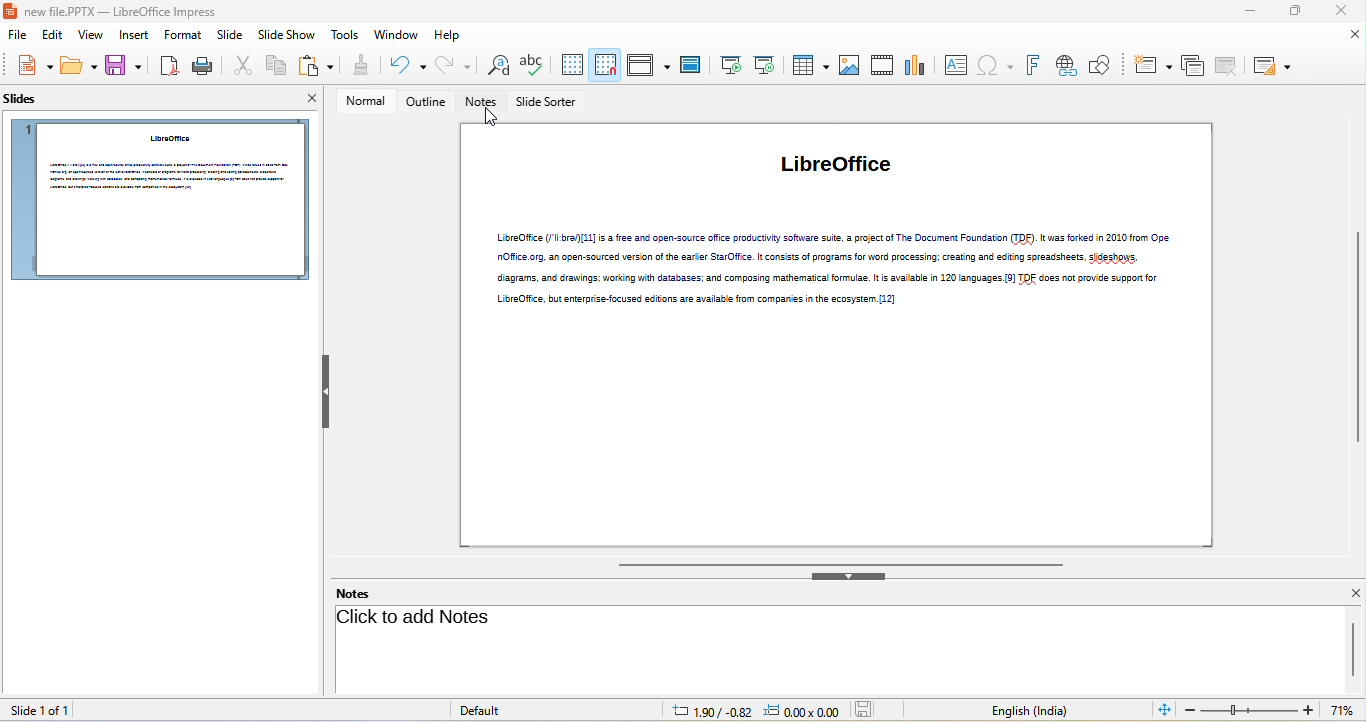 Image resolution: width=1366 pixels, height=722 pixels. What do you see at coordinates (1246, 13) in the screenshot?
I see `minimize` at bounding box center [1246, 13].